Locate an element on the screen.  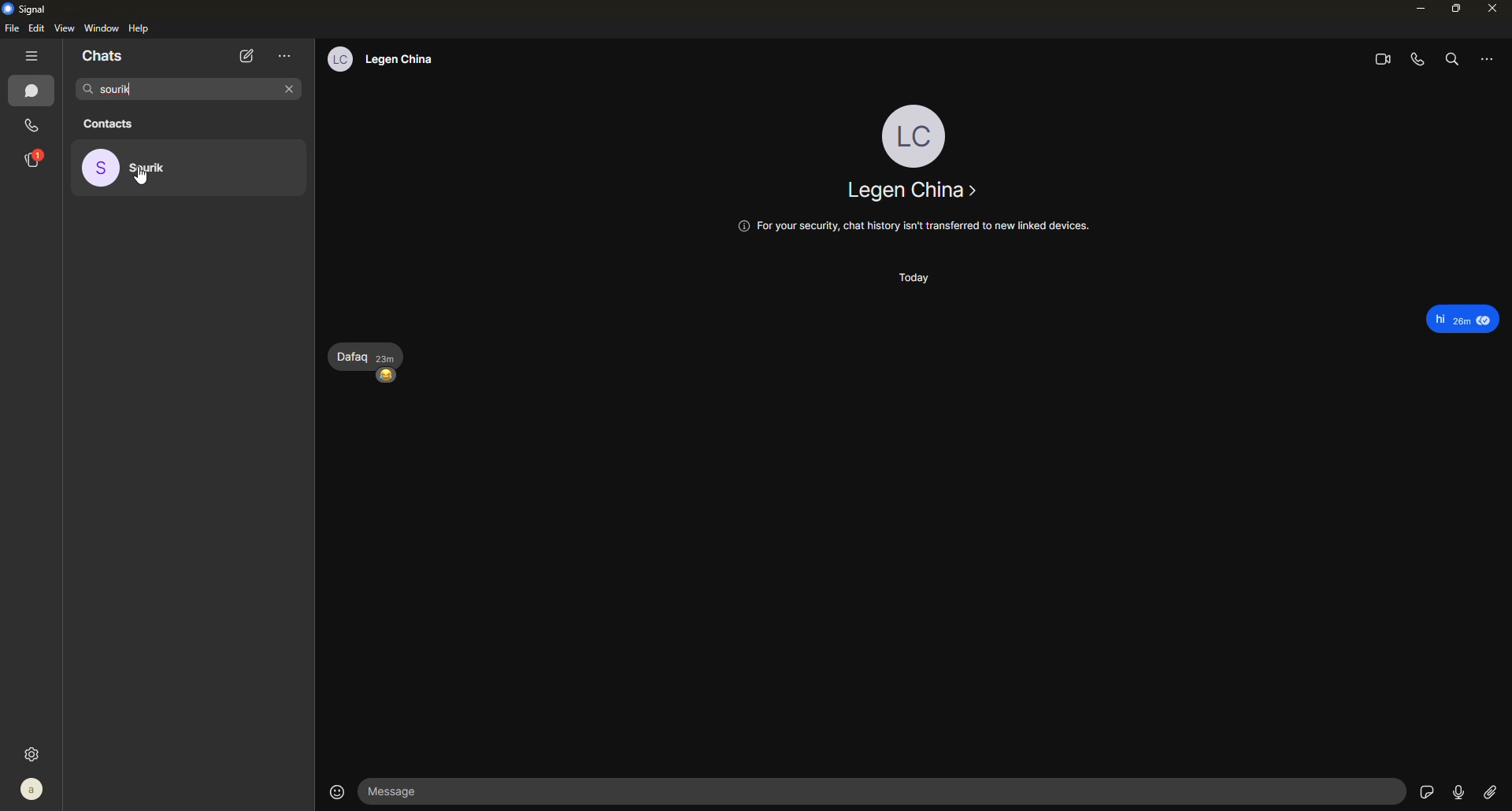
voice call is located at coordinates (1419, 60).